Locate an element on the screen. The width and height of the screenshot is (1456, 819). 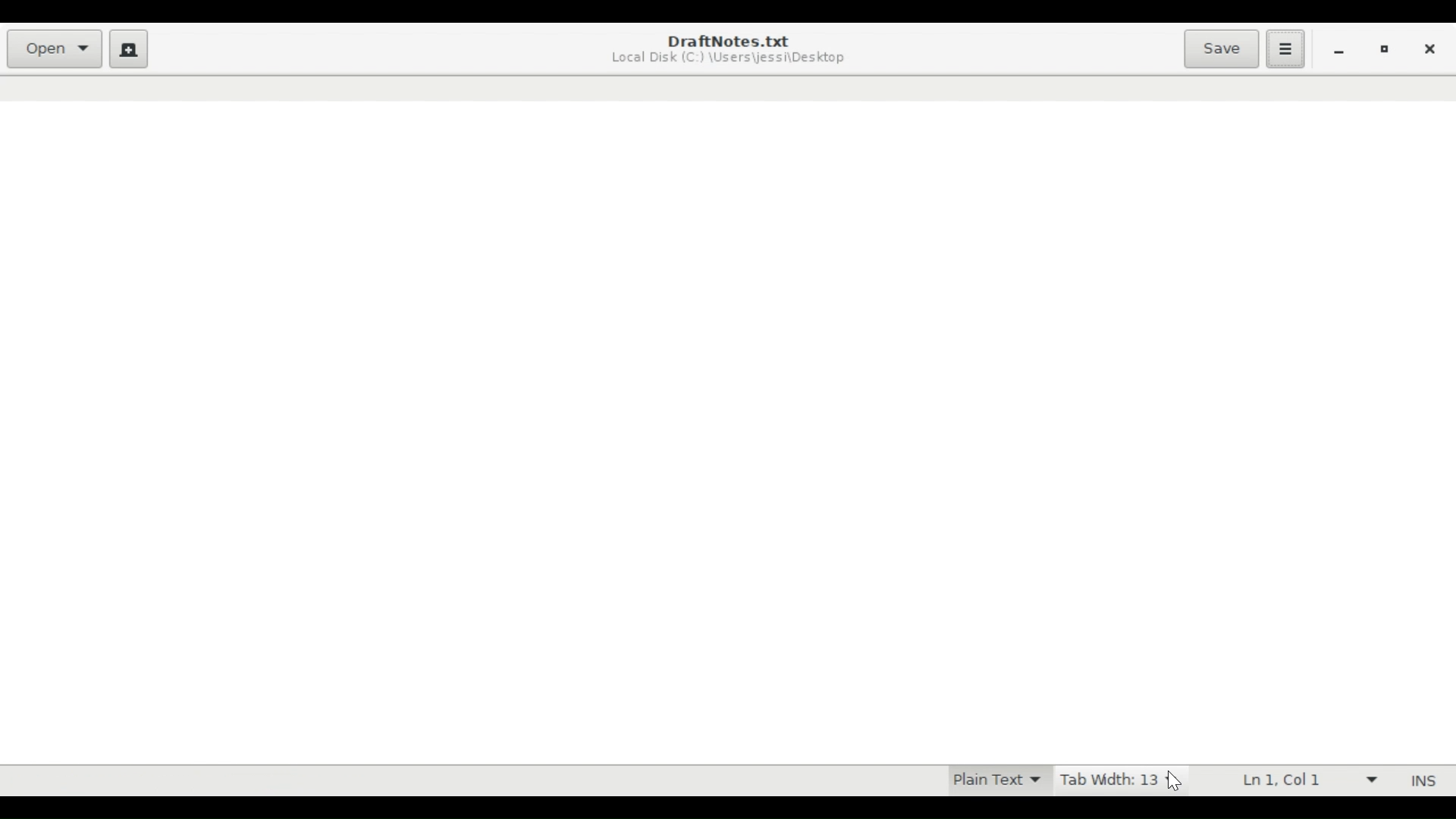
DraftNotes.txt
Local Disk (C:) \Users\jessi\Desktop is located at coordinates (733, 50).